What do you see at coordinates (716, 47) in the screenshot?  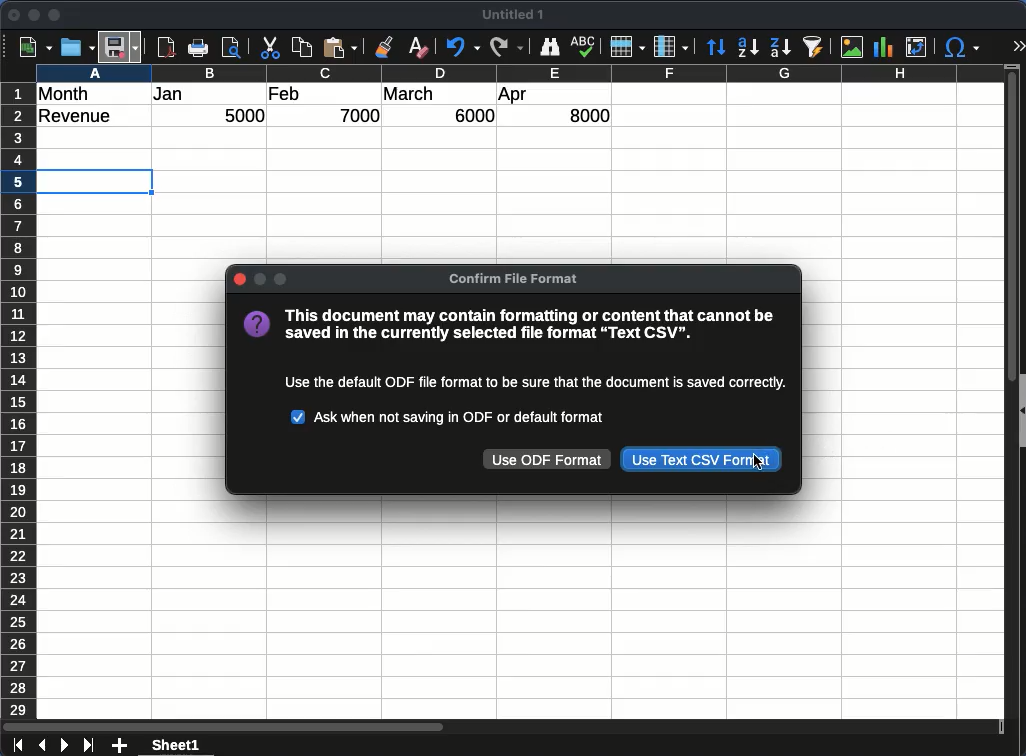 I see `sort` at bounding box center [716, 47].